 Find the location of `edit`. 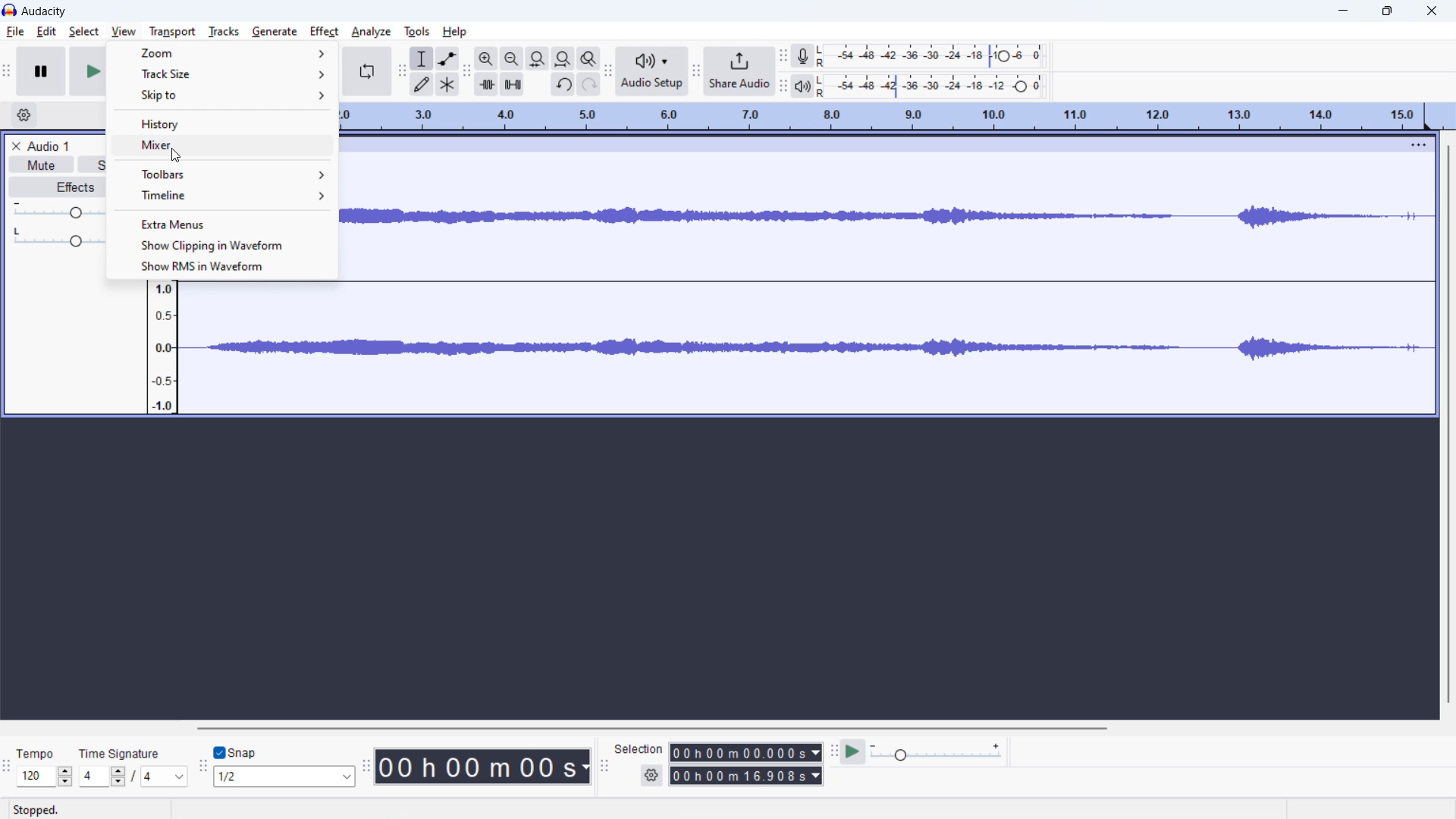

edit is located at coordinates (46, 33).